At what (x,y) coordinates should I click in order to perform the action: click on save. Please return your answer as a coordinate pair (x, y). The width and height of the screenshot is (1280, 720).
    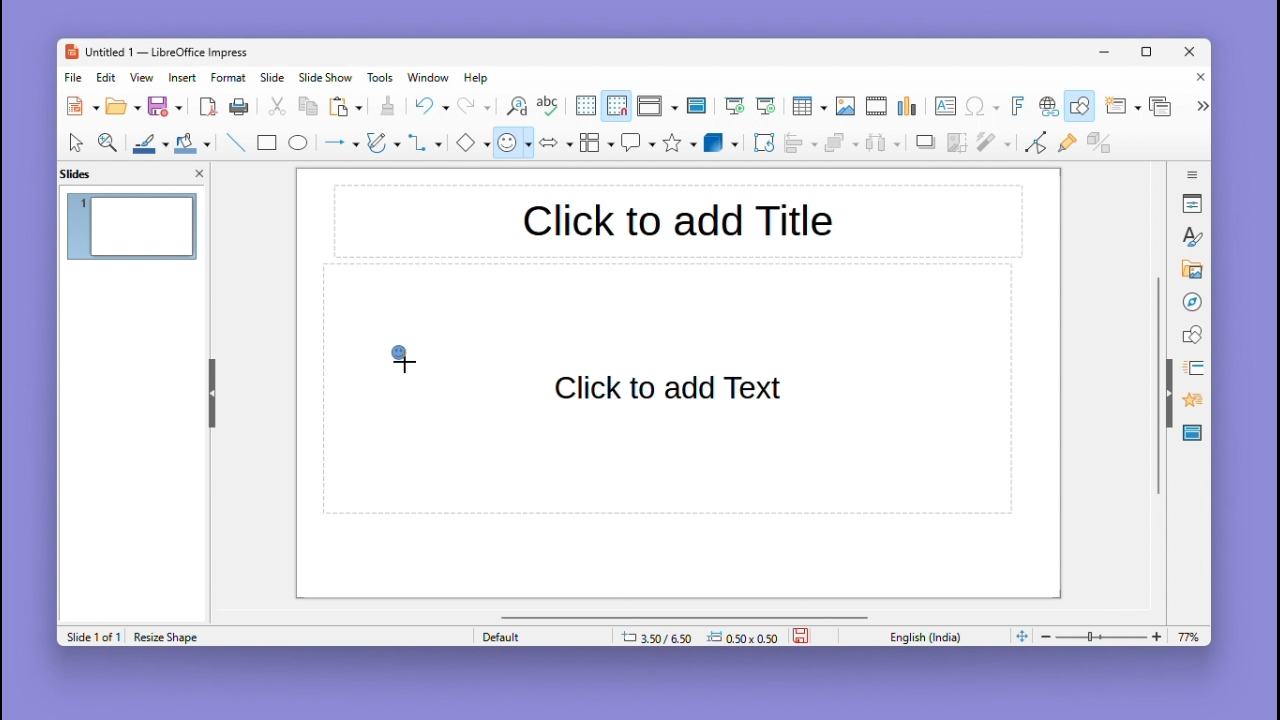
    Looking at the image, I should click on (803, 634).